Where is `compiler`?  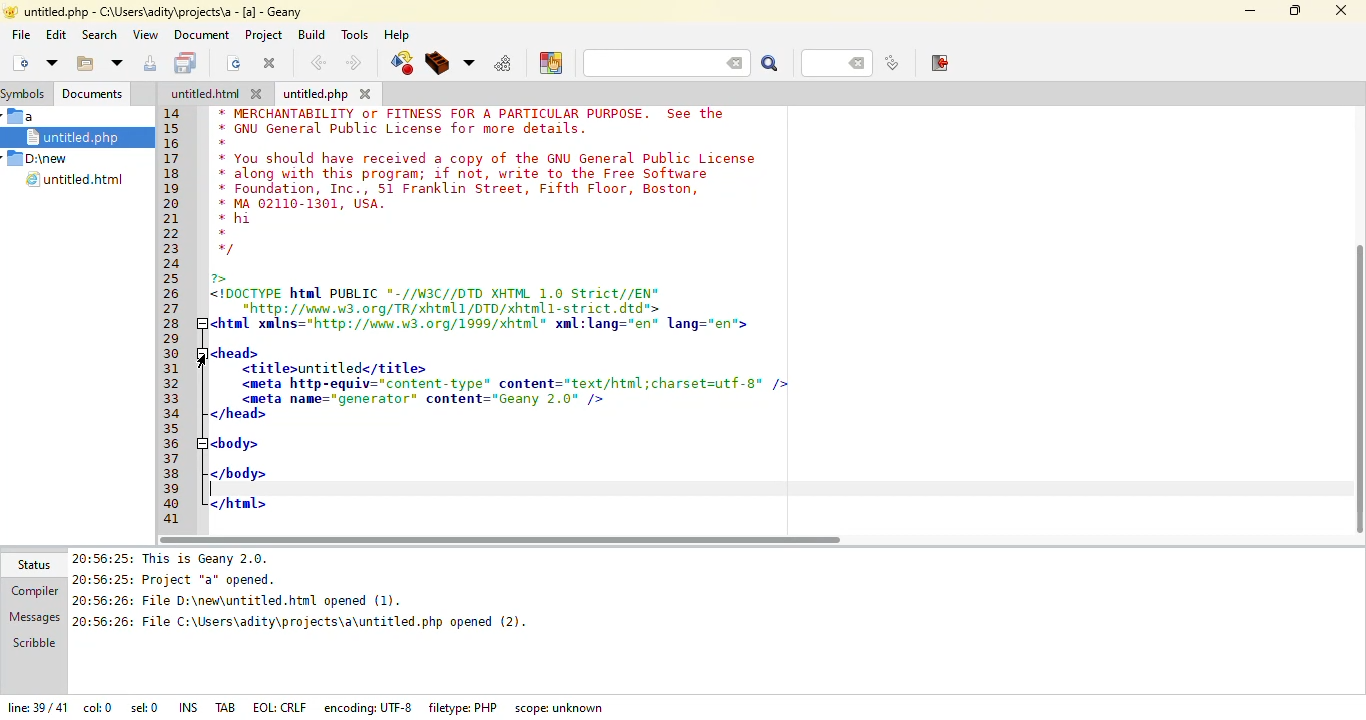
compiler is located at coordinates (35, 591).